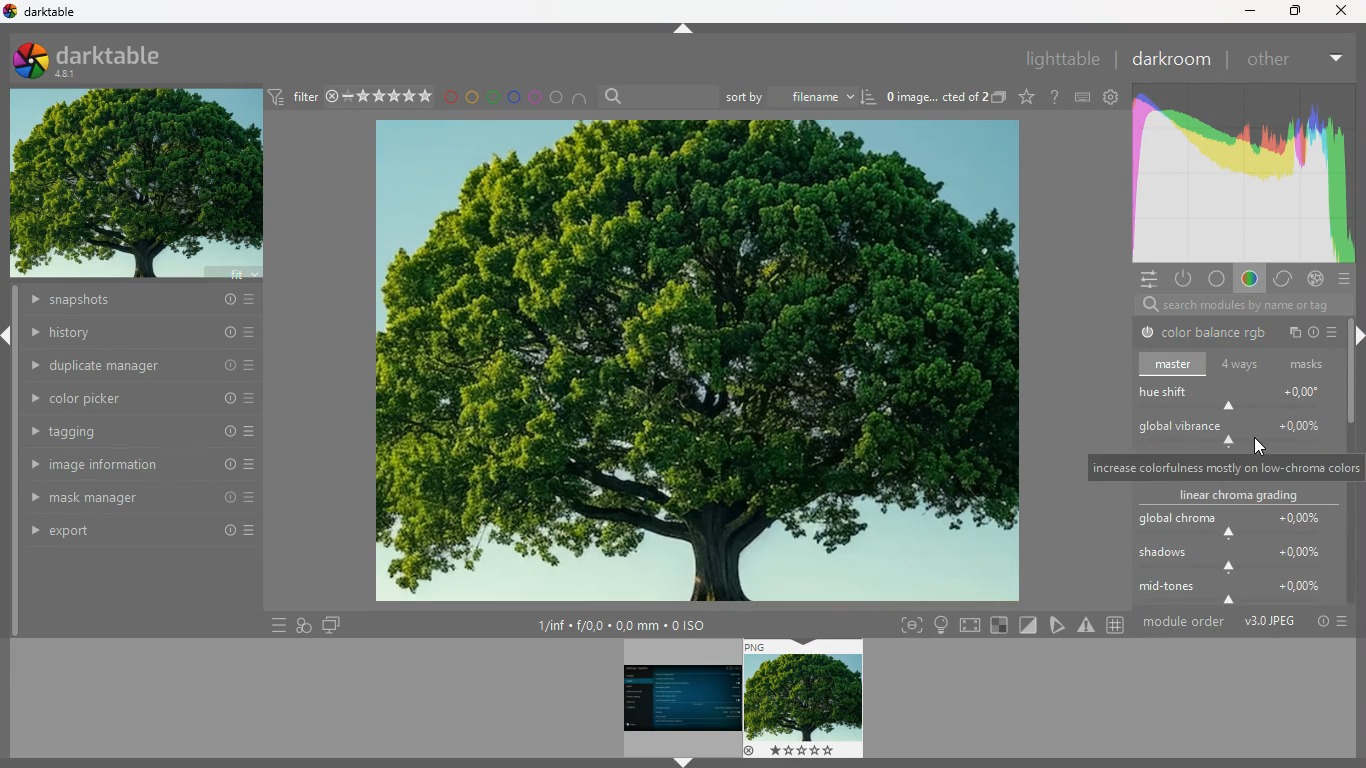 The height and width of the screenshot is (768, 1366). Describe the element at coordinates (1238, 561) in the screenshot. I see `shadow` at that location.